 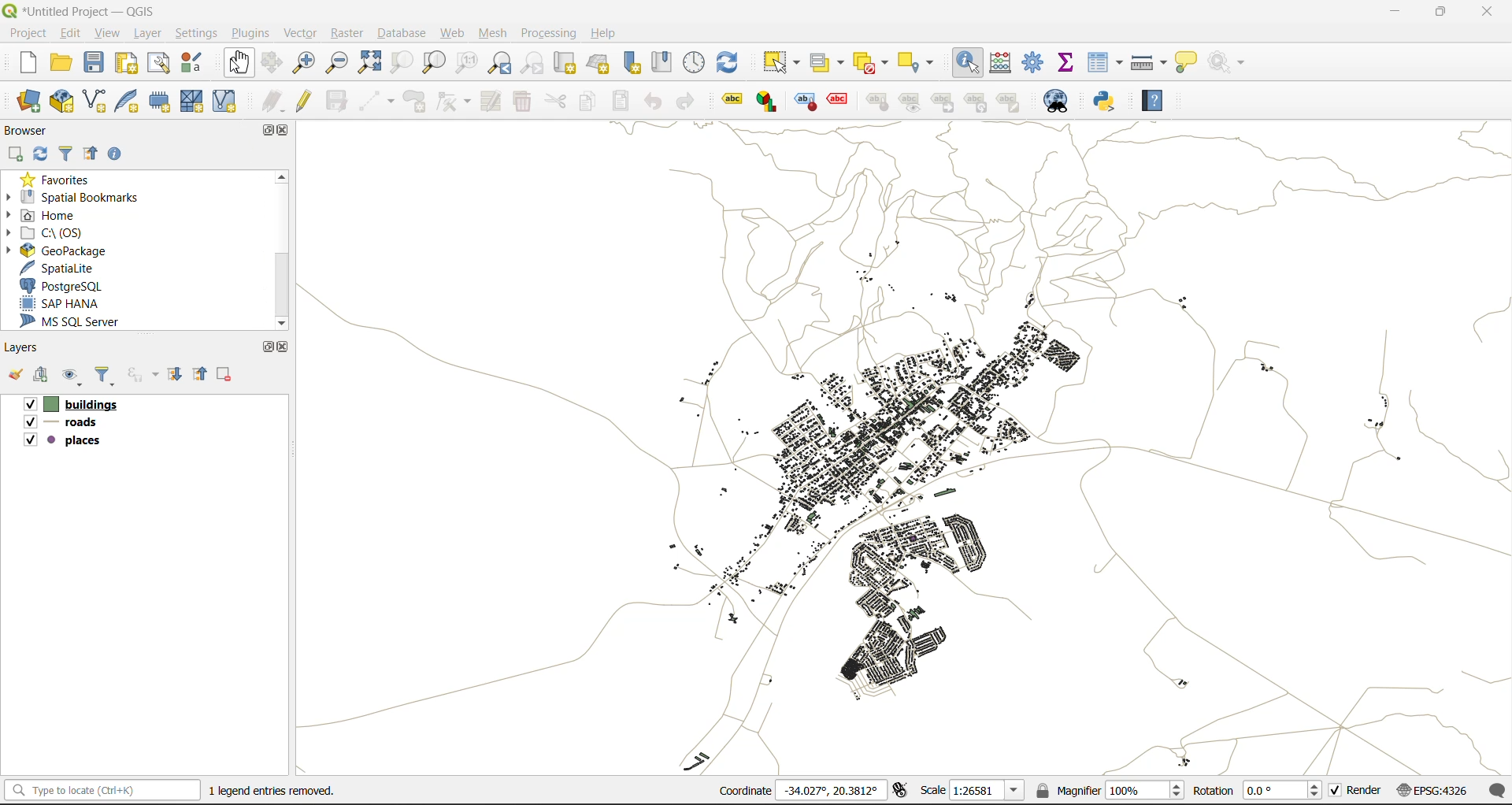 I want to click on Style, so click(x=805, y=101).